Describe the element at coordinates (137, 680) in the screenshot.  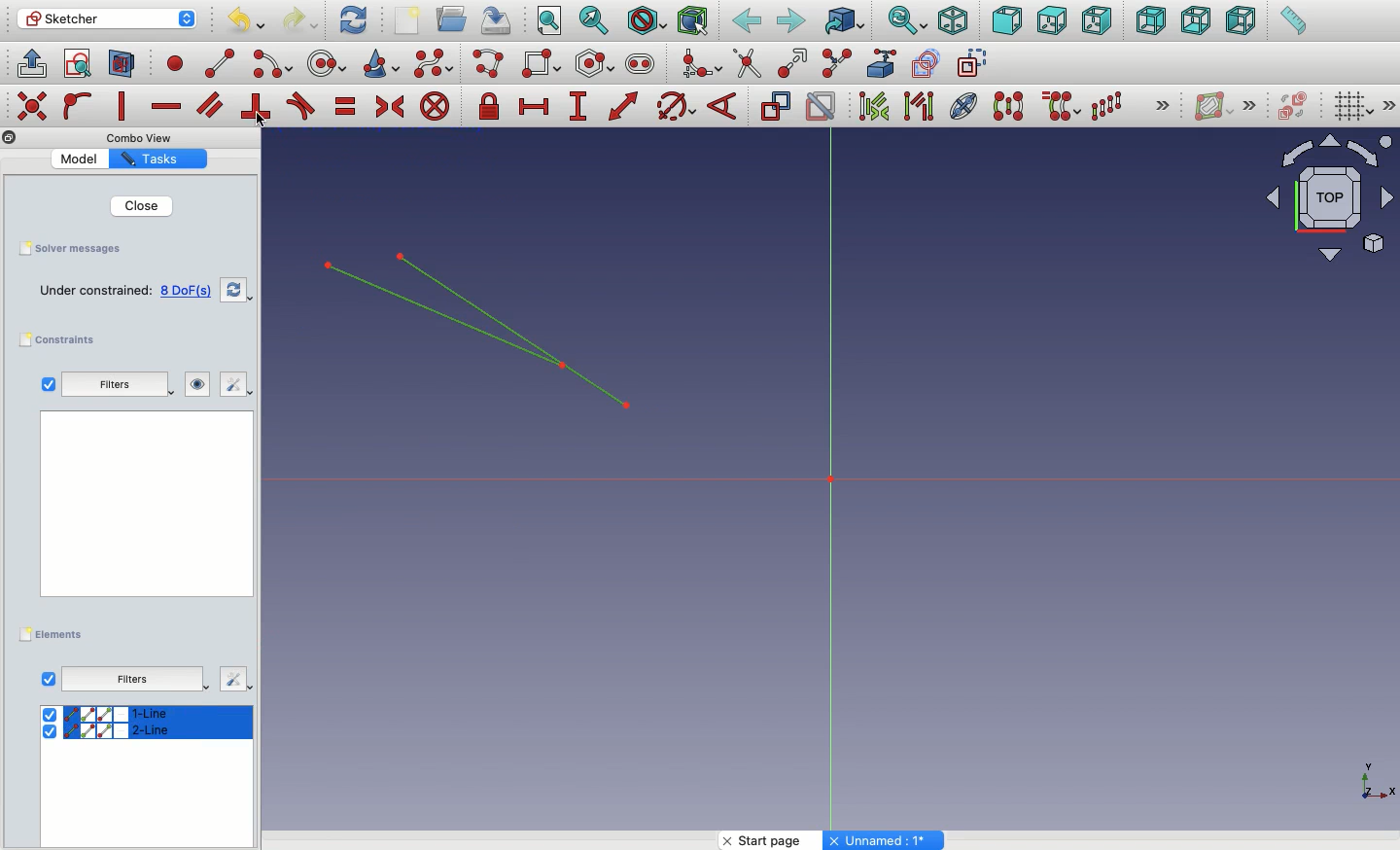
I see `` at that location.